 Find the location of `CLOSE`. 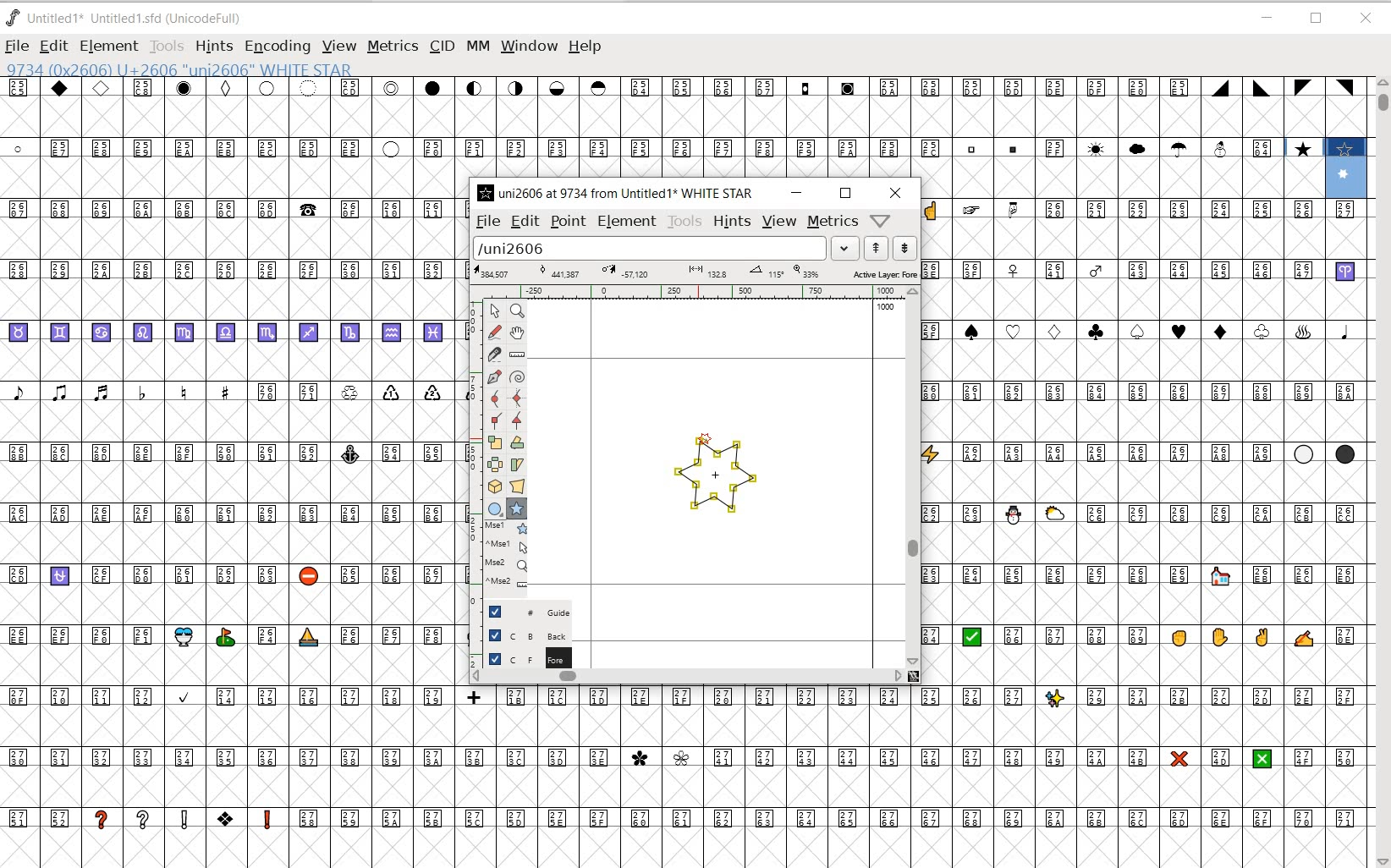

CLOSE is located at coordinates (895, 193).